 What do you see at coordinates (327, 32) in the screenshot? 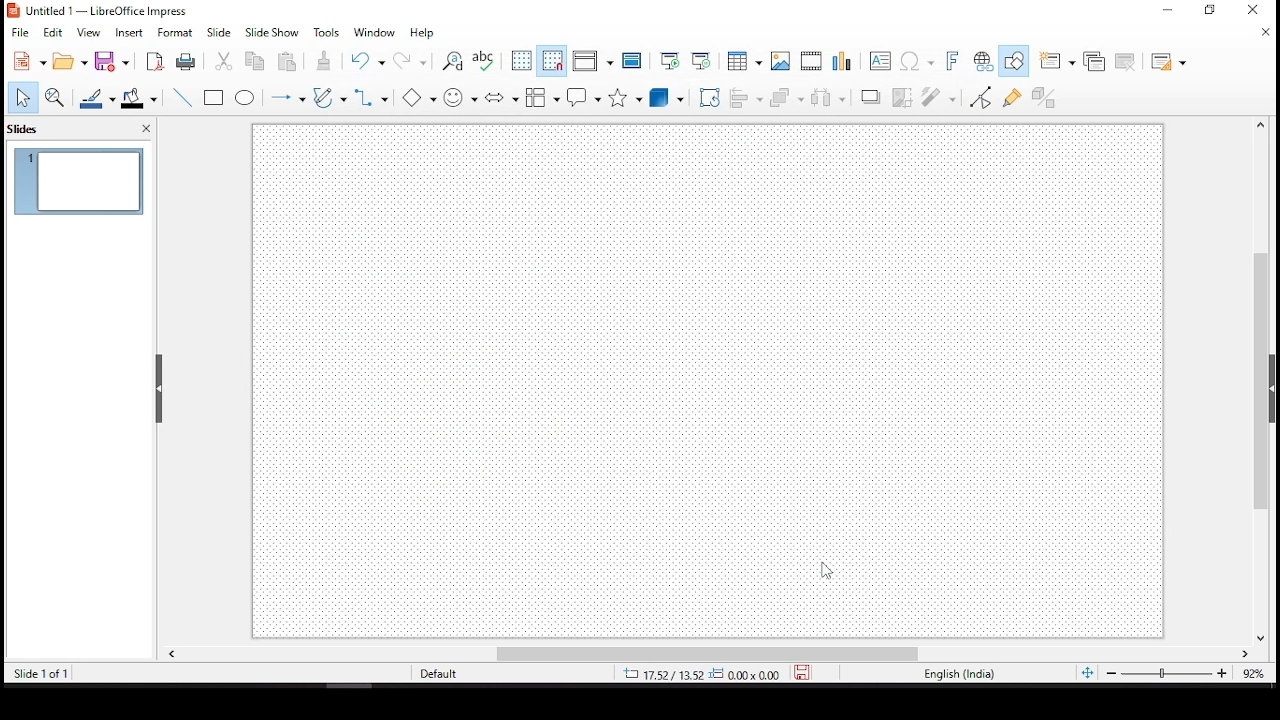
I see `tools` at bounding box center [327, 32].